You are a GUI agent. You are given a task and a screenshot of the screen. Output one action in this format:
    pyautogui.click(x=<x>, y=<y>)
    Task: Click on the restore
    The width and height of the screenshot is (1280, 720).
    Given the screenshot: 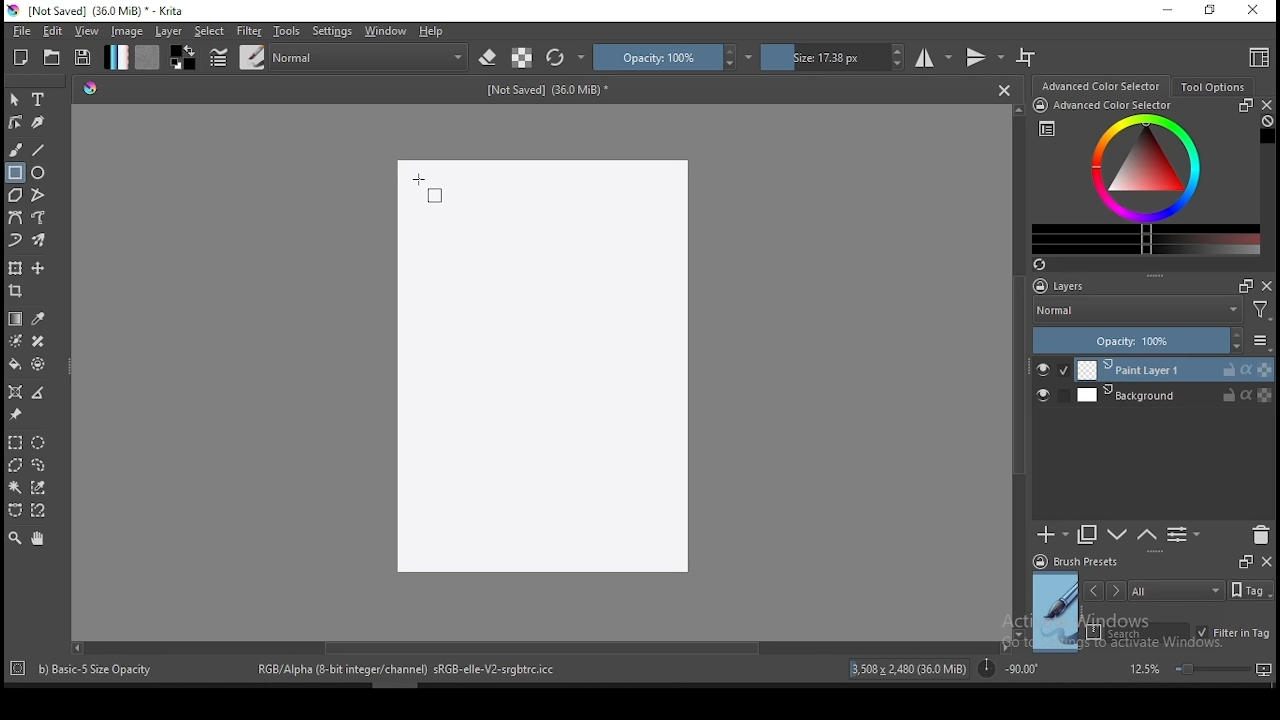 What is the action you would take?
    pyautogui.click(x=1214, y=11)
    